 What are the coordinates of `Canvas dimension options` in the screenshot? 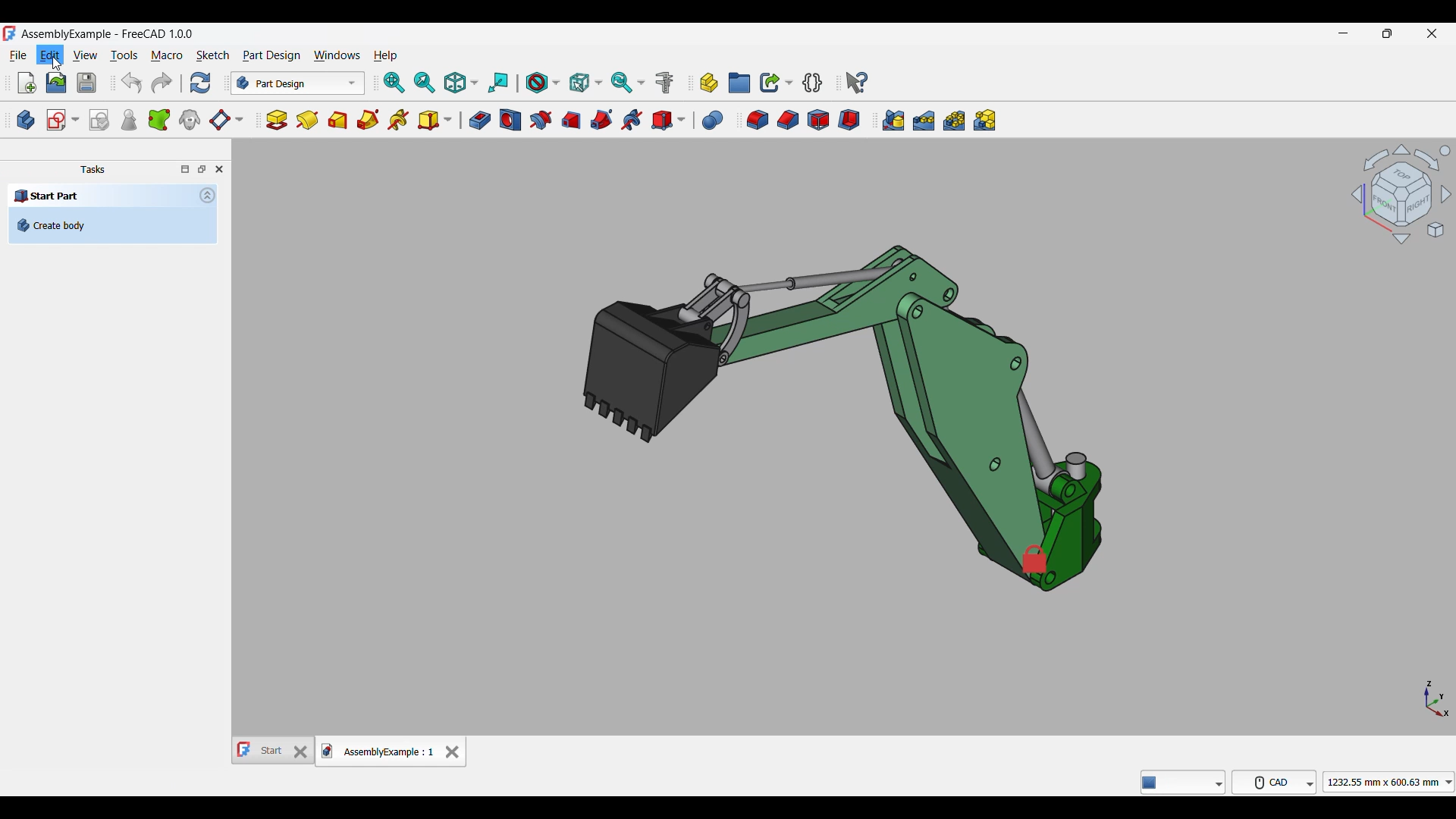 It's located at (1389, 782).